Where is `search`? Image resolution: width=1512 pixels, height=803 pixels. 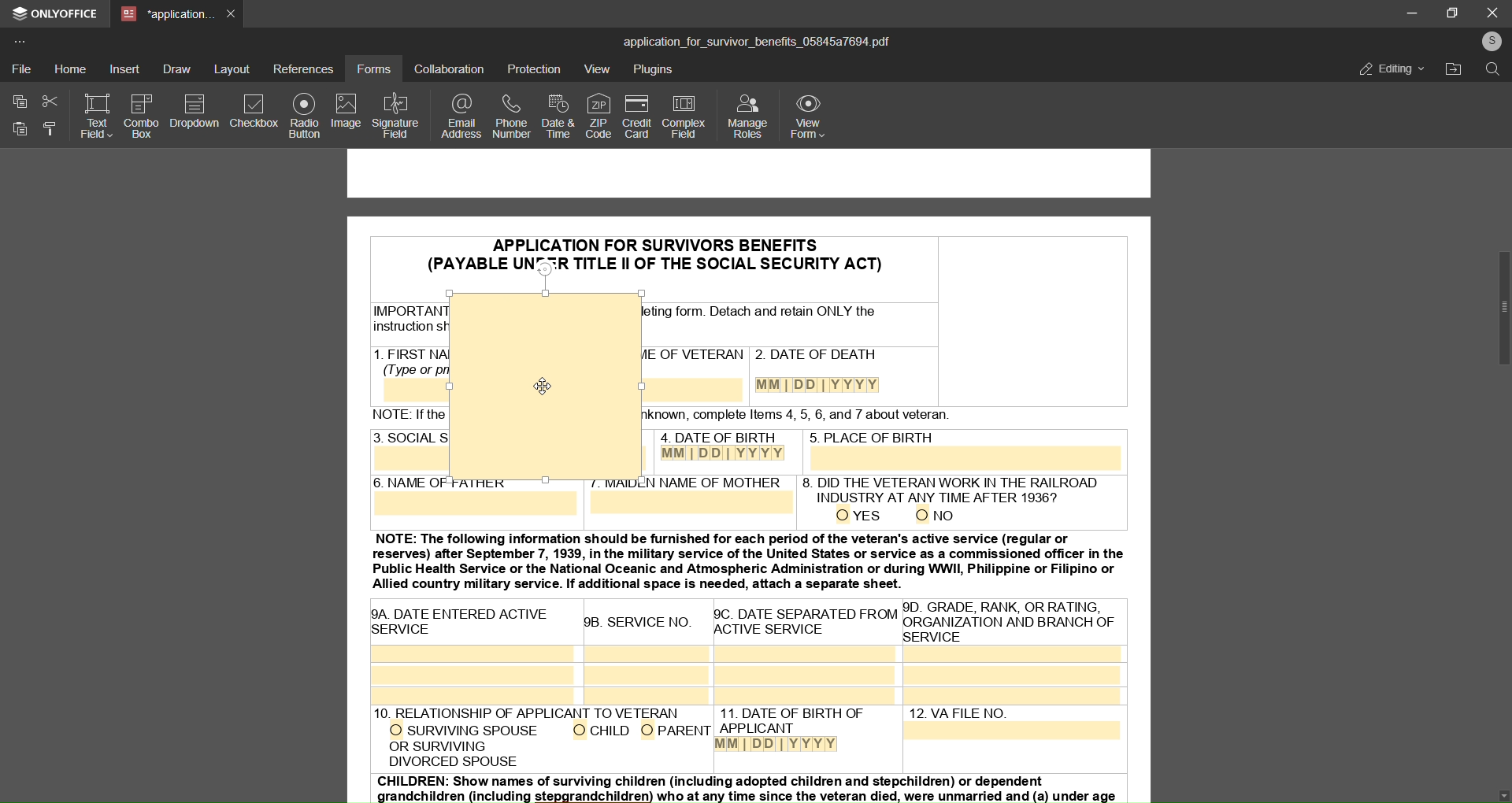
search is located at coordinates (1492, 72).